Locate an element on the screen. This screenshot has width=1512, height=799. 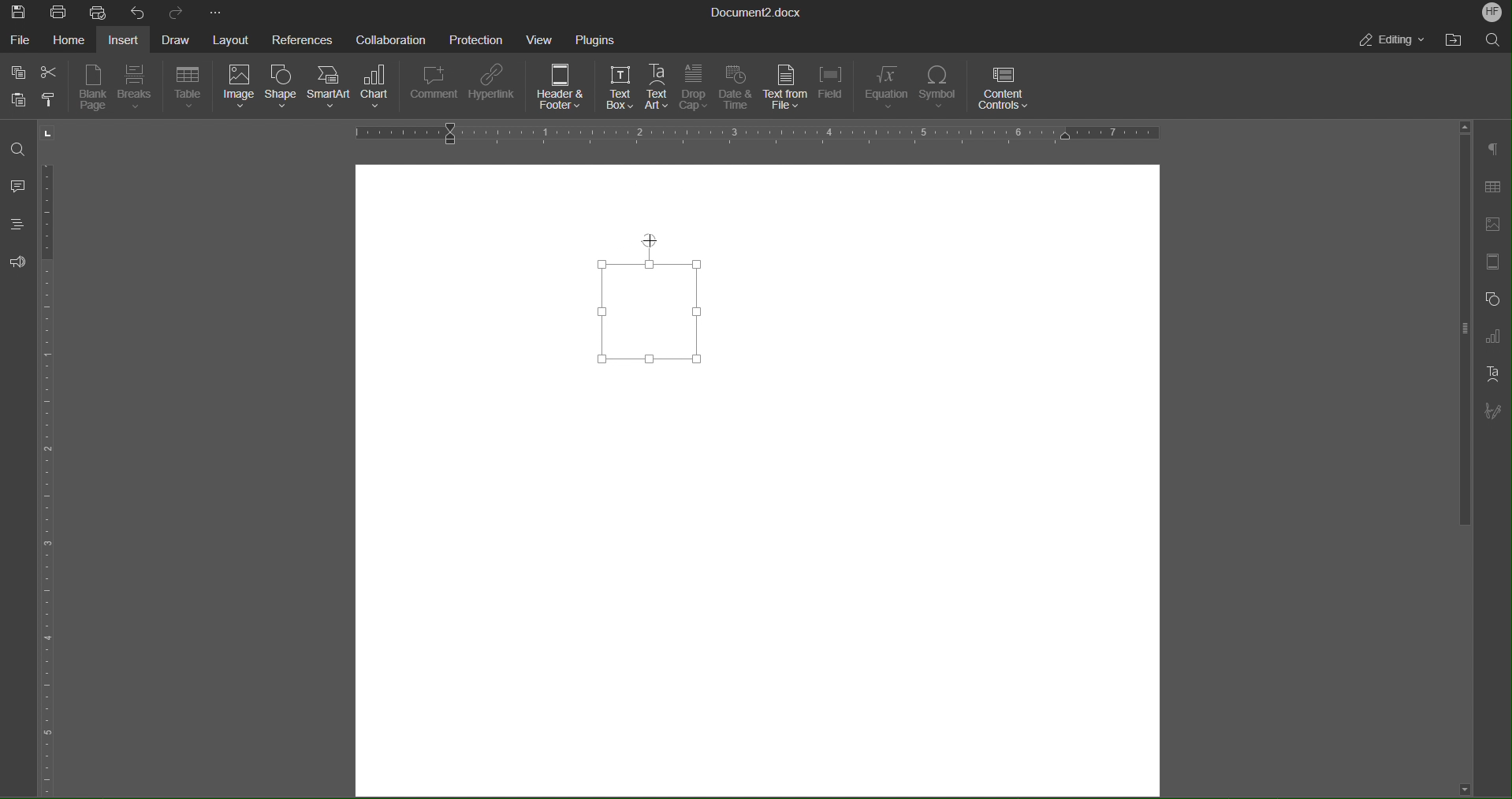
Content Controls is located at coordinates (1005, 87).